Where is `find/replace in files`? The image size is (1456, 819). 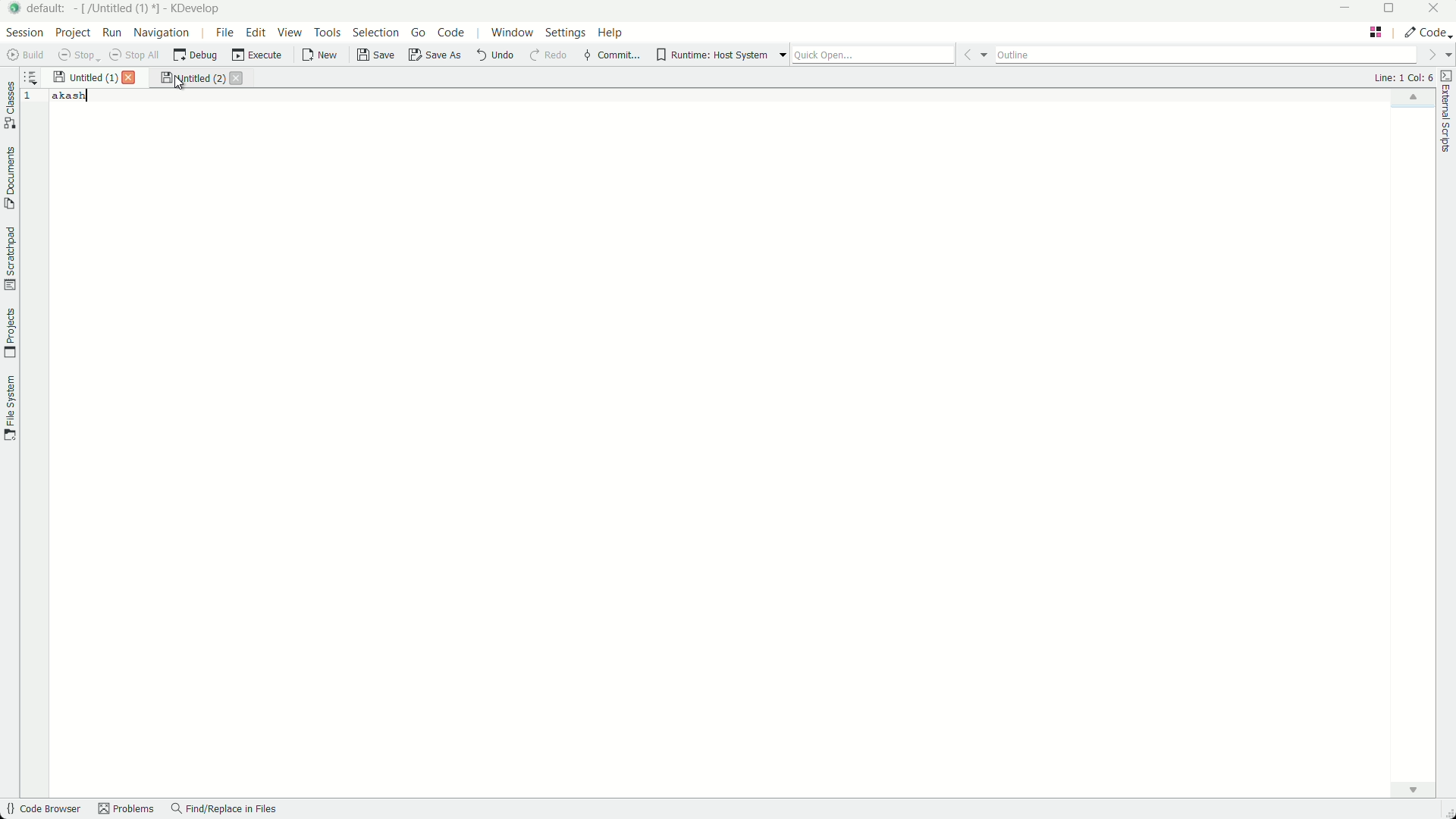 find/replace in files is located at coordinates (224, 811).